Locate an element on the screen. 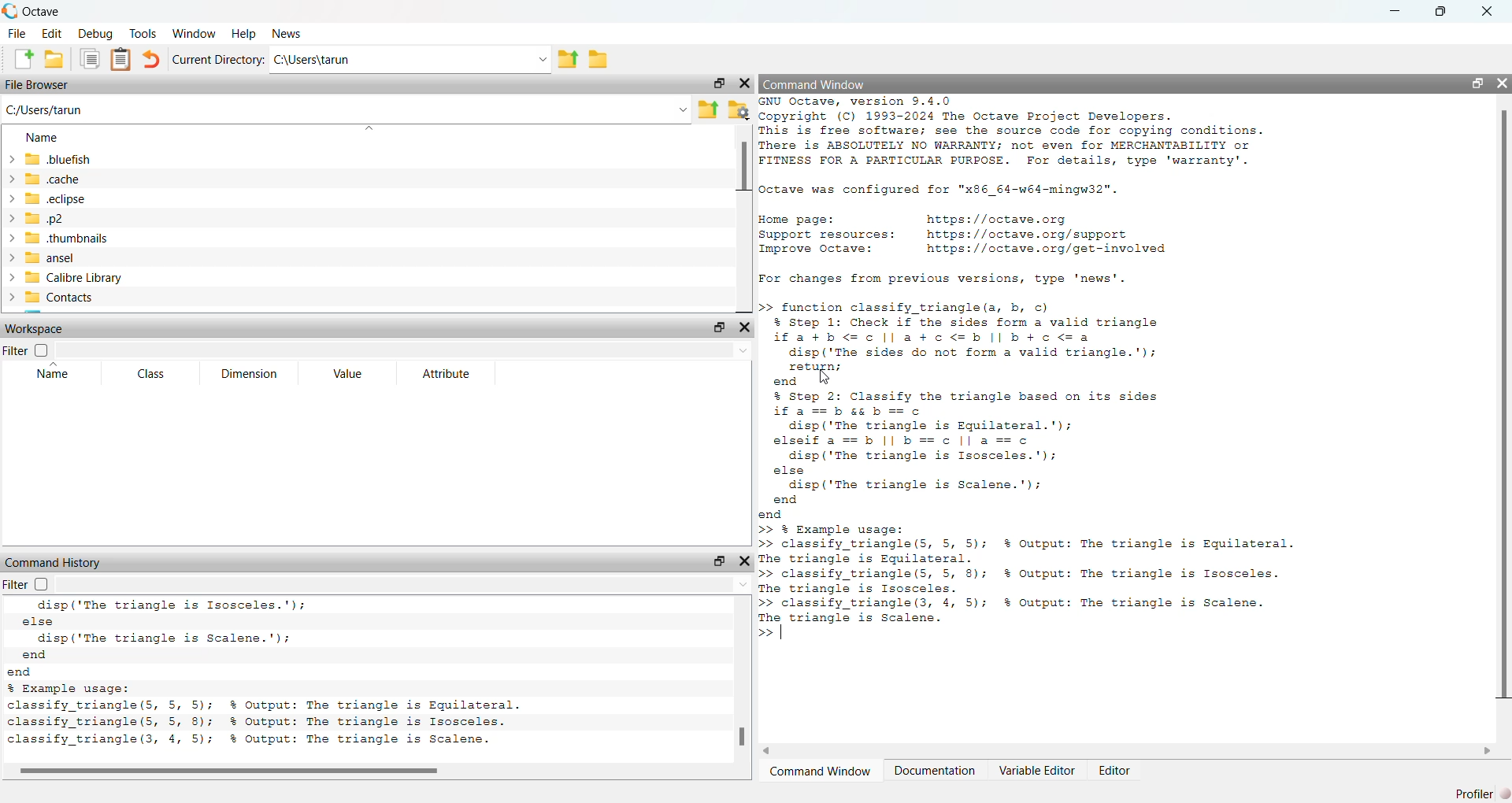  documentation is located at coordinates (935, 770).